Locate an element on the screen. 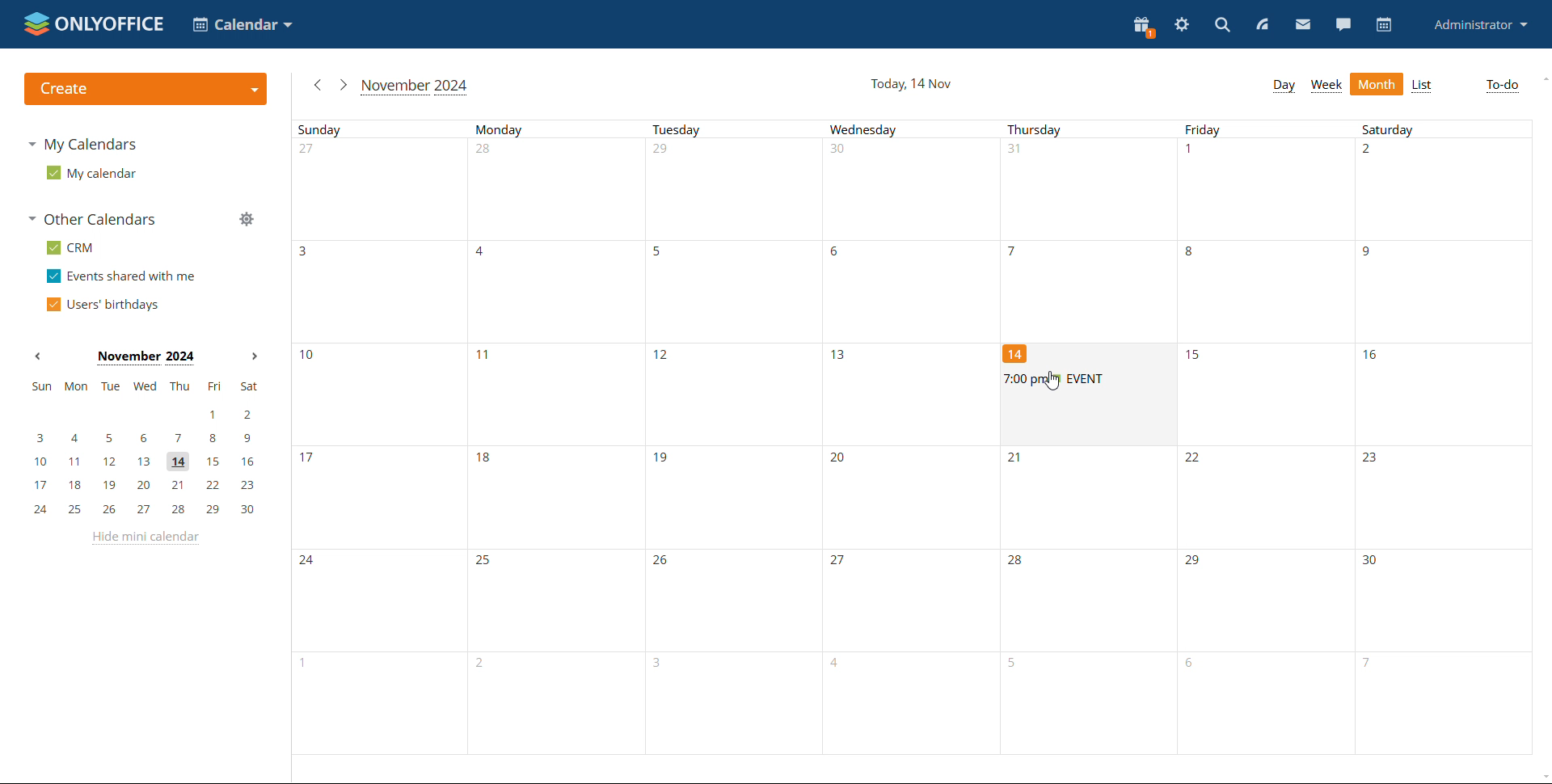  number is located at coordinates (1195, 356).